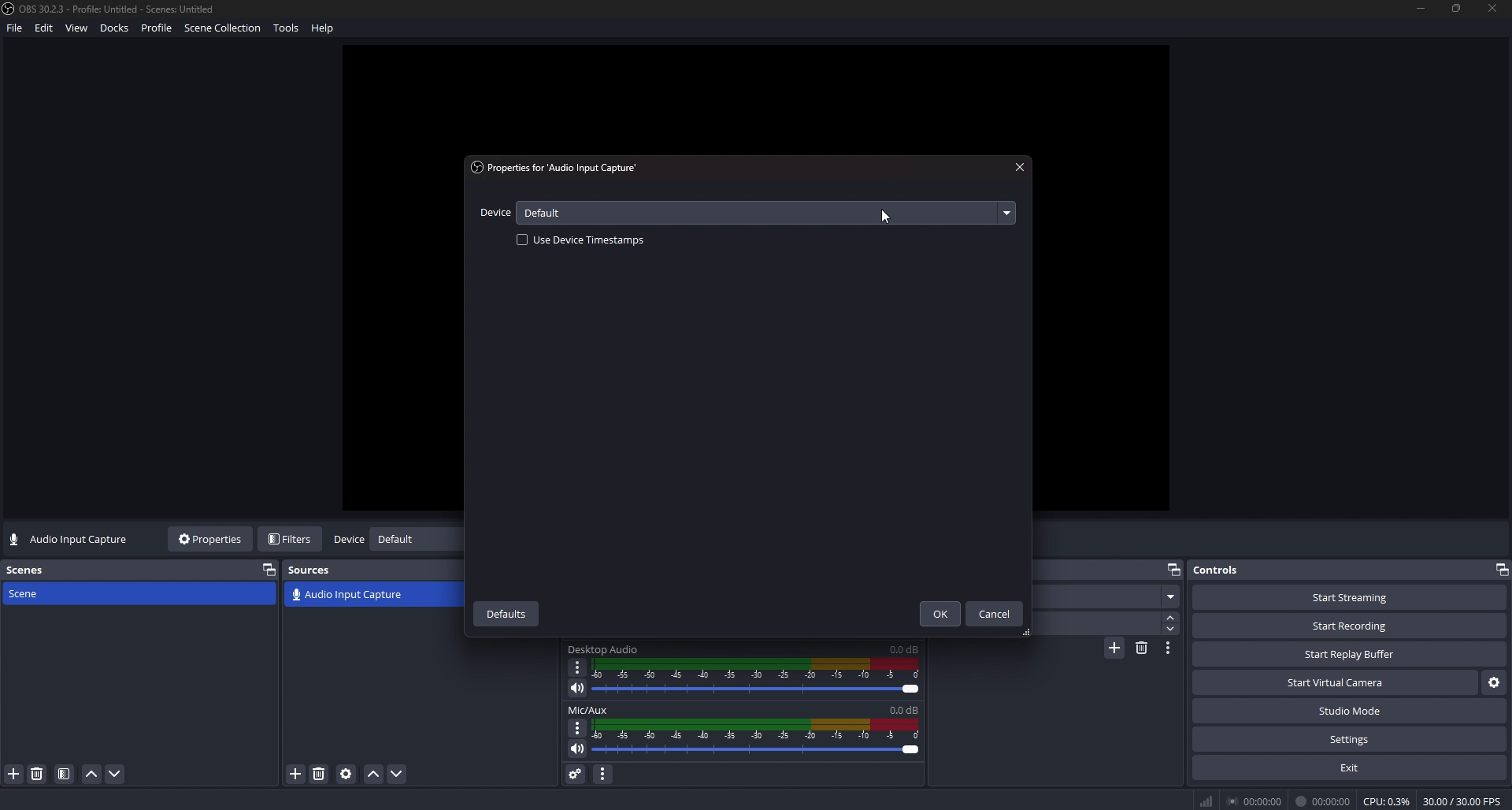 This screenshot has width=1512, height=810. Describe the element at coordinates (347, 596) in the screenshot. I see `scene transitions` at that location.